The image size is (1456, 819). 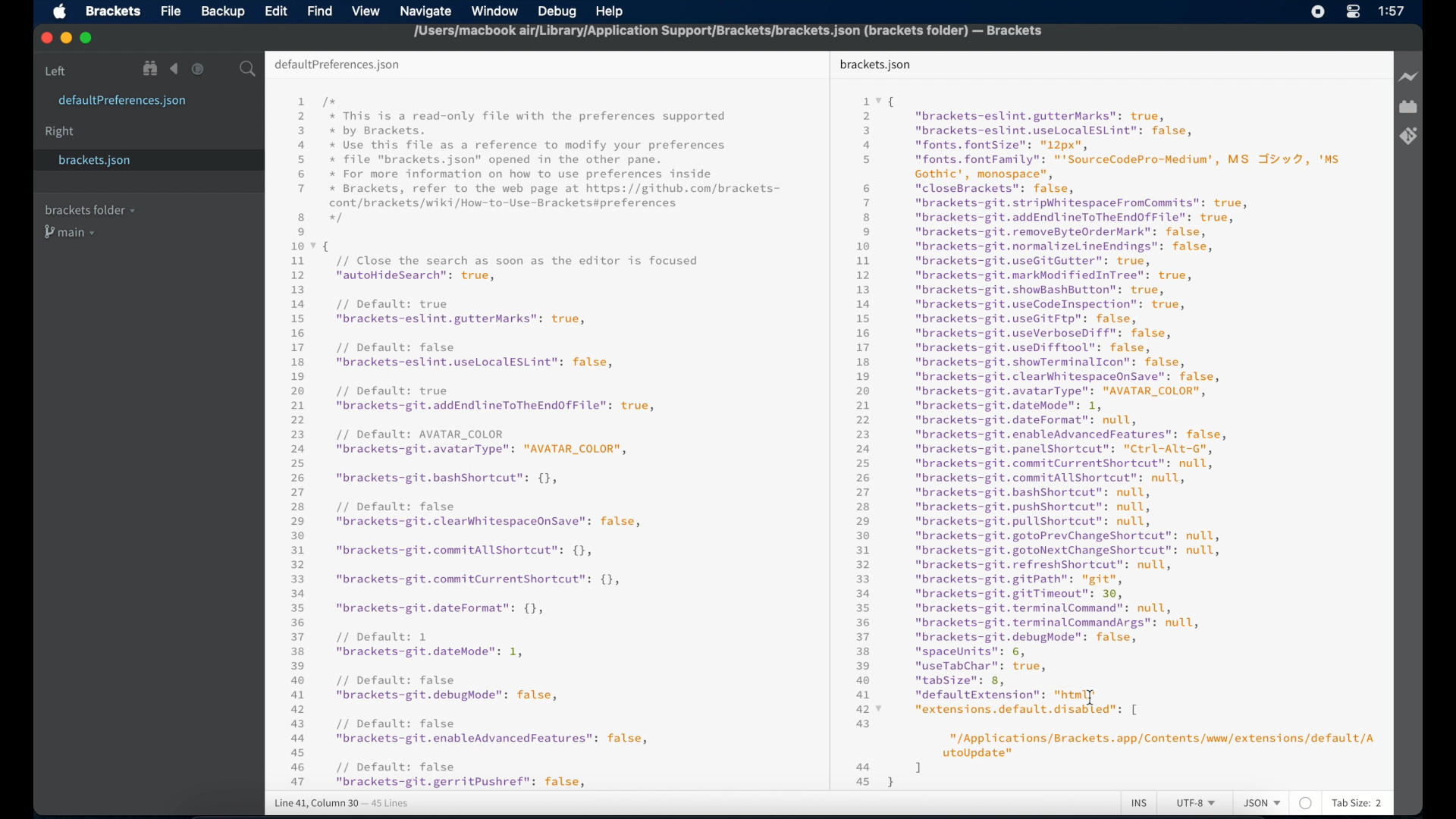 I want to click on show file in tree, so click(x=151, y=69).